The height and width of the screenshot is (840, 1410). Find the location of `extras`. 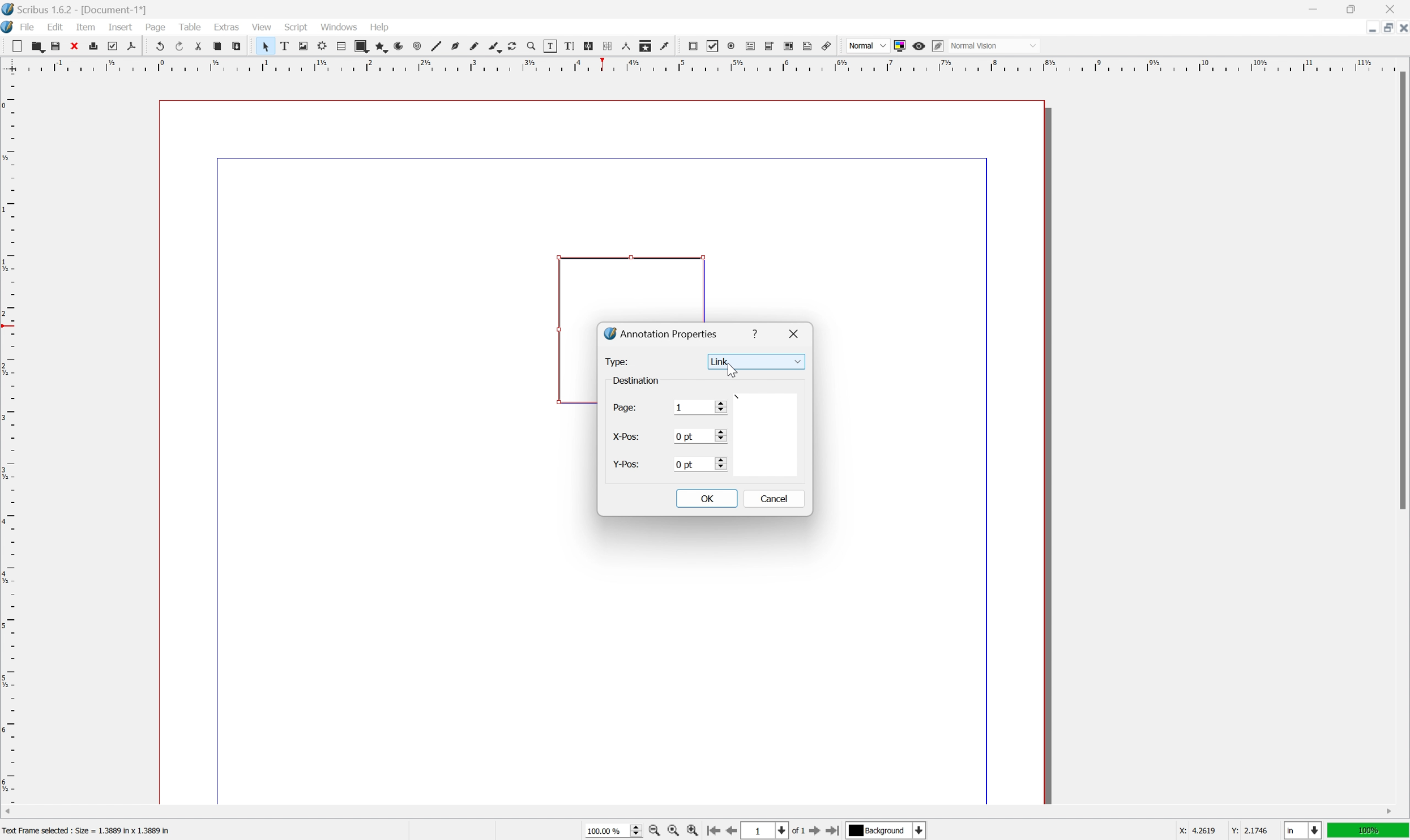

extras is located at coordinates (227, 26).